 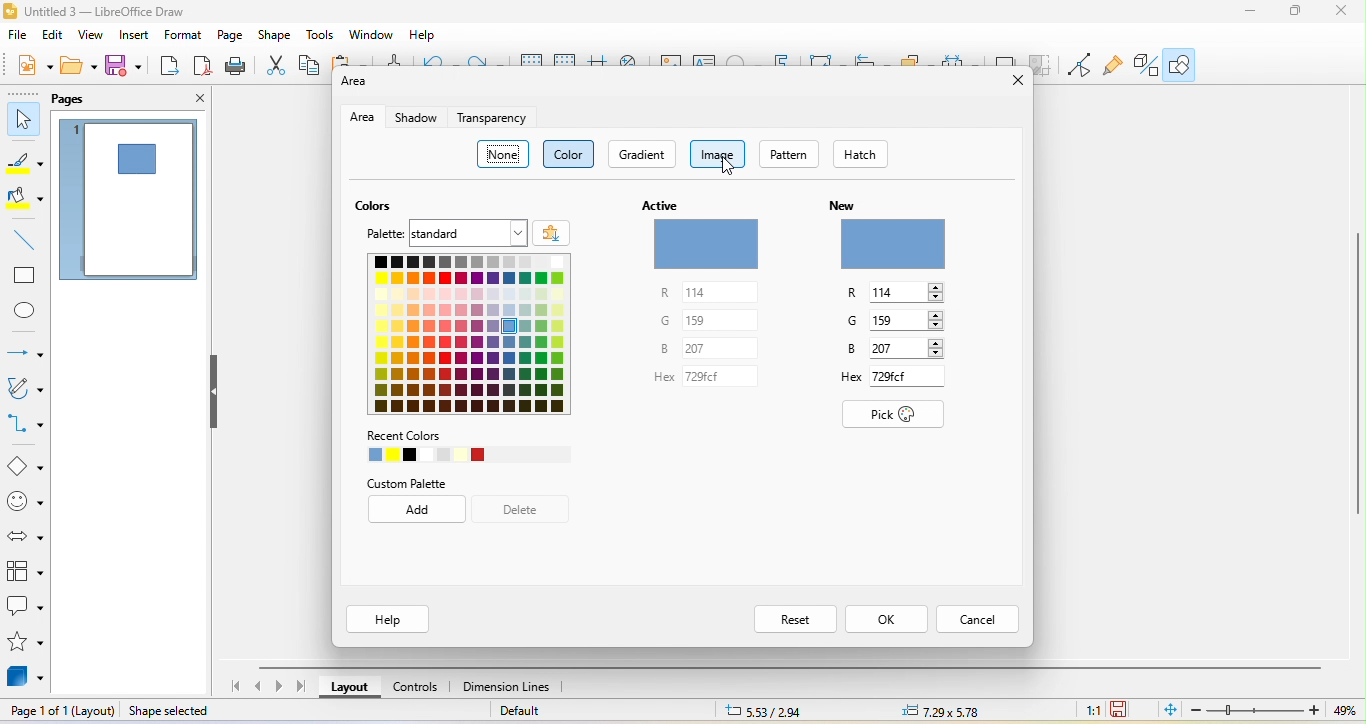 I want to click on area, so click(x=359, y=83).